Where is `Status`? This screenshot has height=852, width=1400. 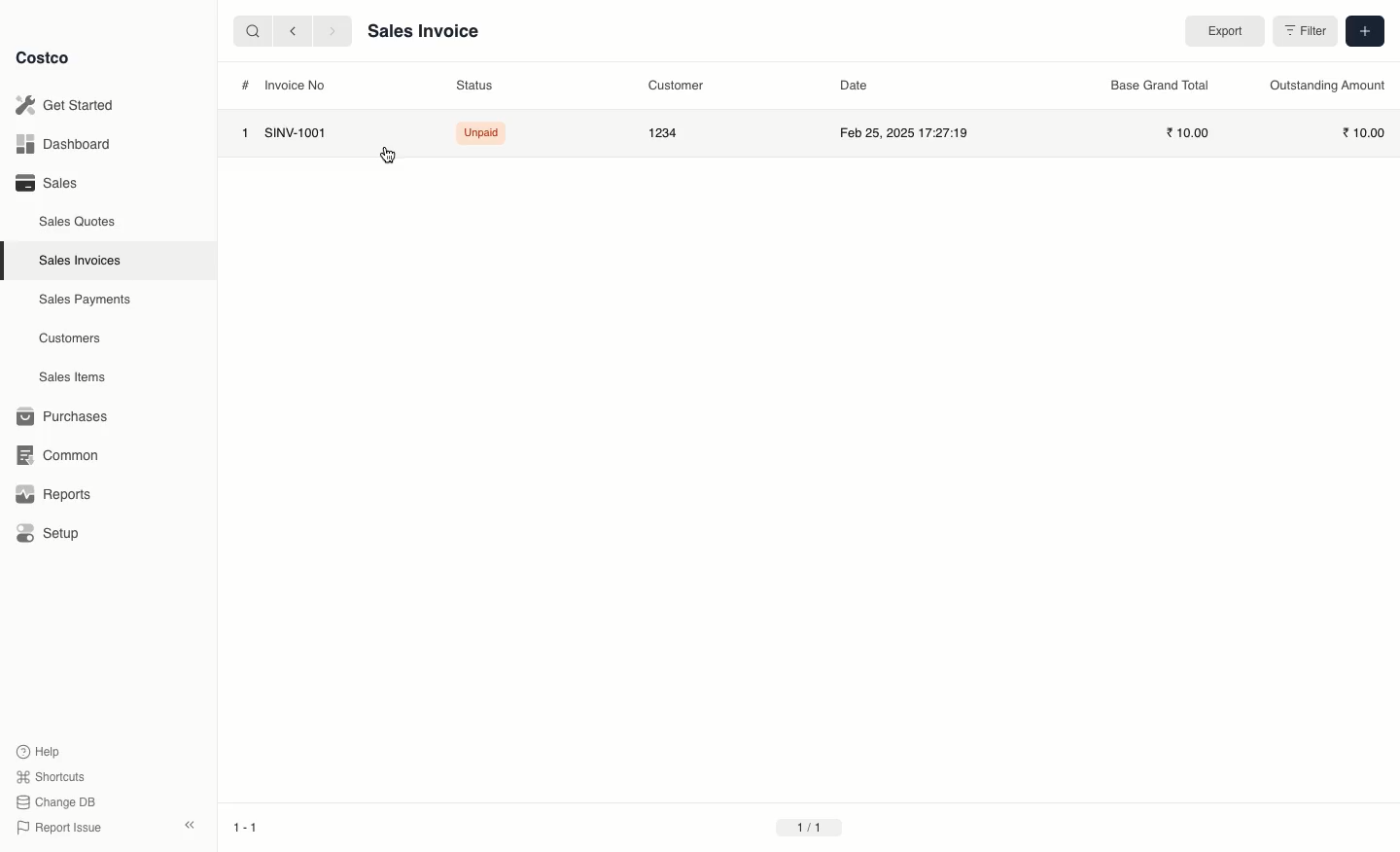
Status is located at coordinates (472, 85).